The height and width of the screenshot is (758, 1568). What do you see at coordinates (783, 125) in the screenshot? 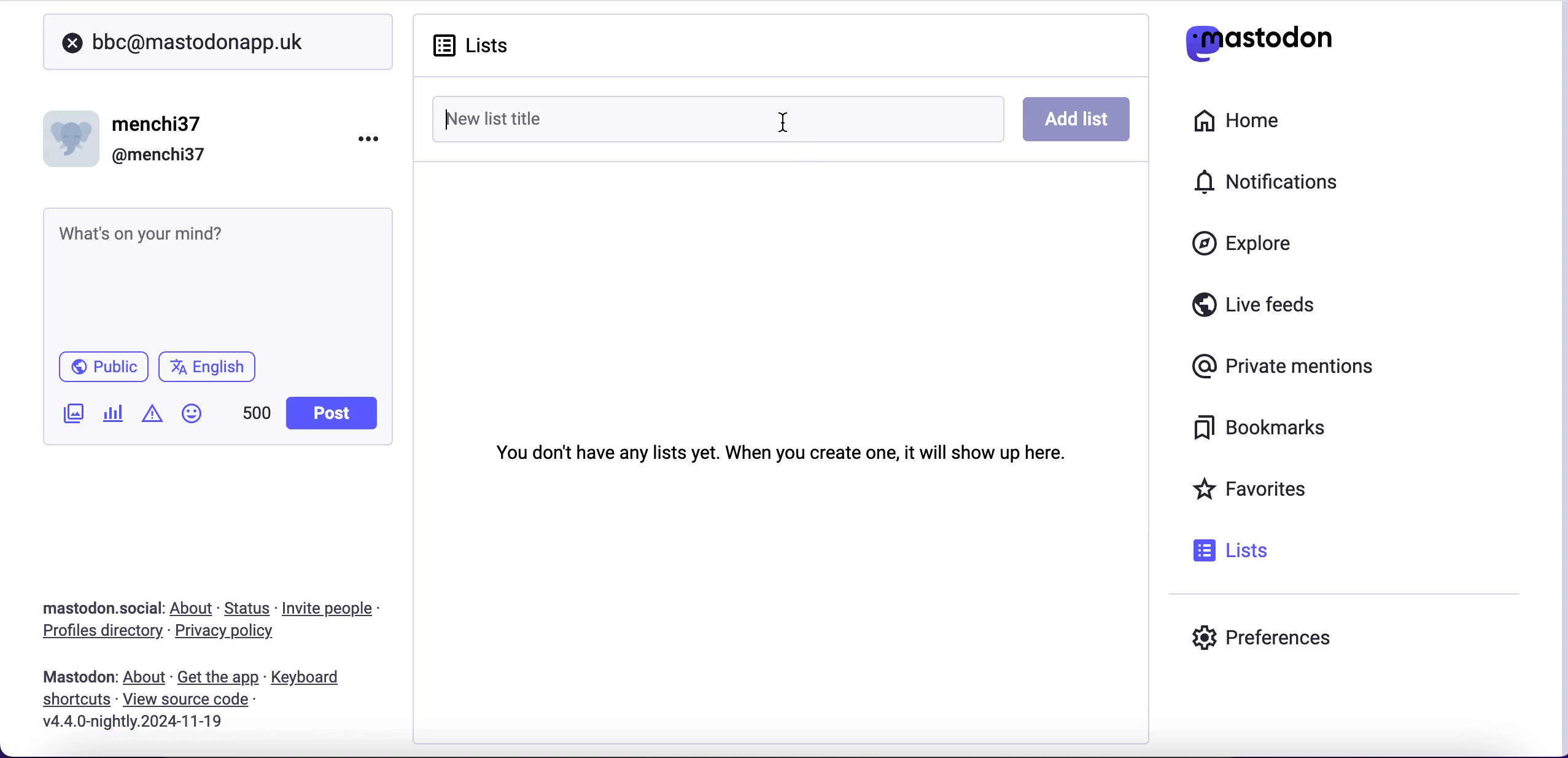
I see `cursor` at bounding box center [783, 125].